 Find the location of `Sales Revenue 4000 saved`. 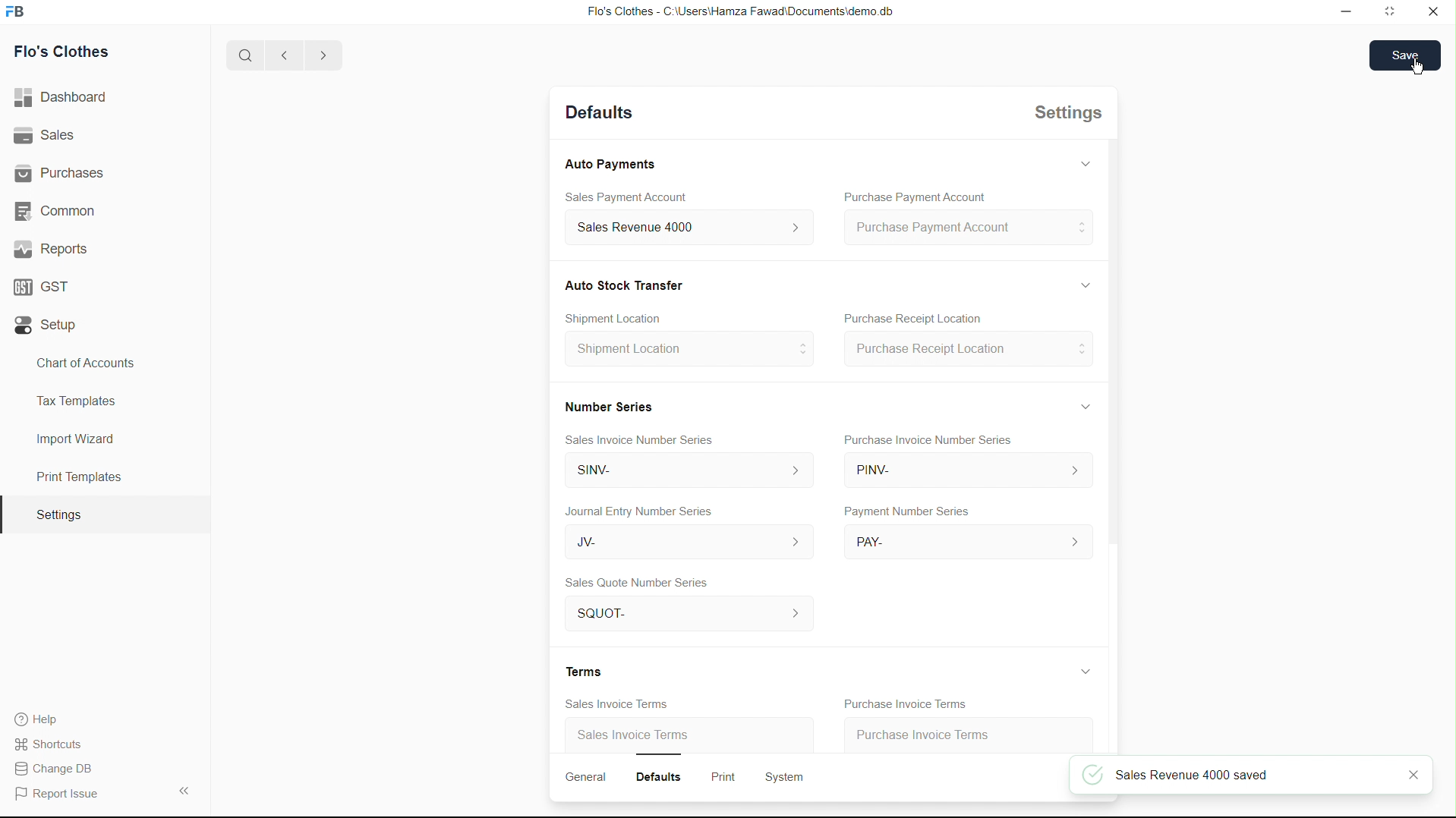

Sales Revenue 4000 saved is located at coordinates (1246, 774).